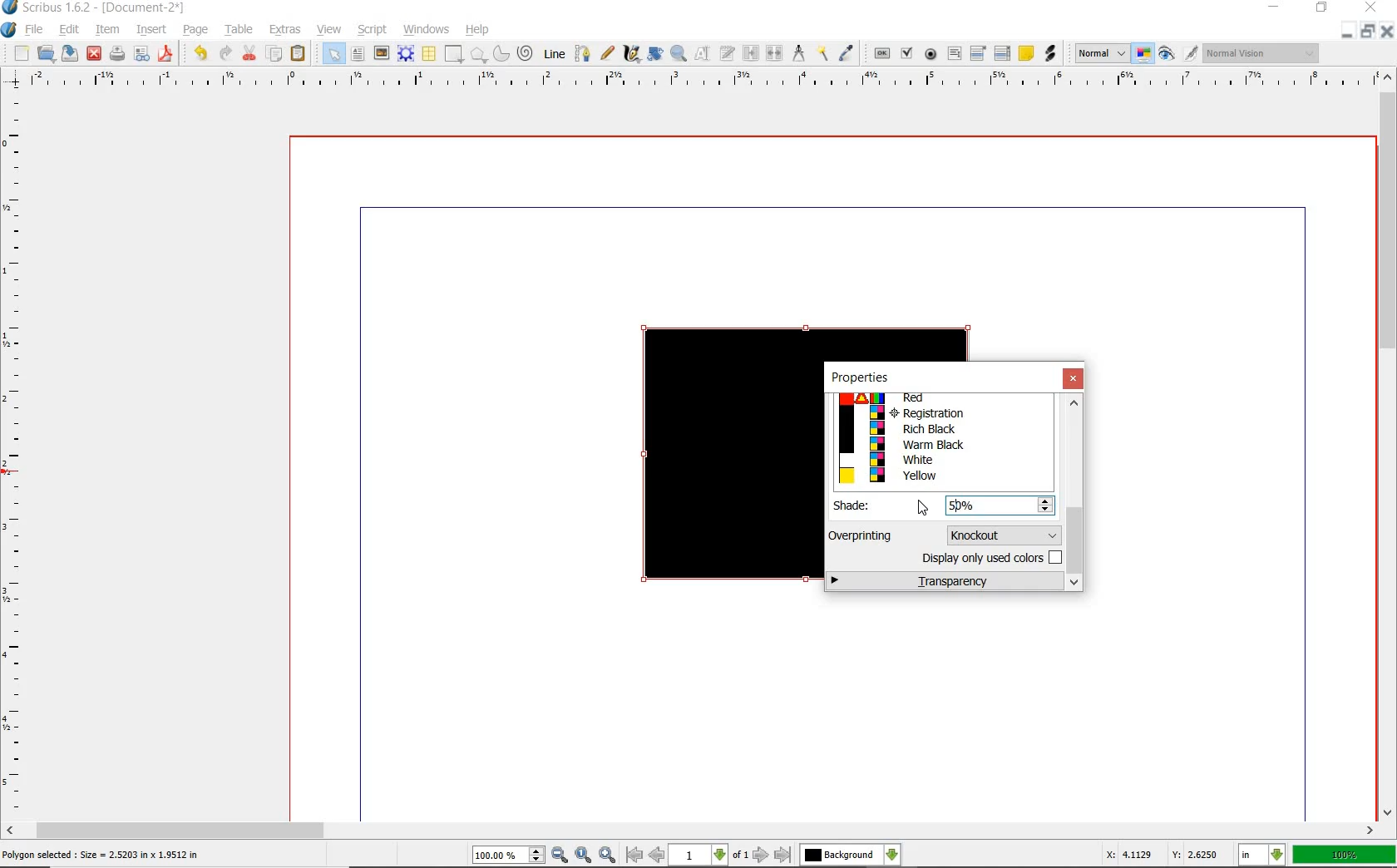  Describe the element at coordinates (225, 54) in the screenshot. I see `redo` at that location.